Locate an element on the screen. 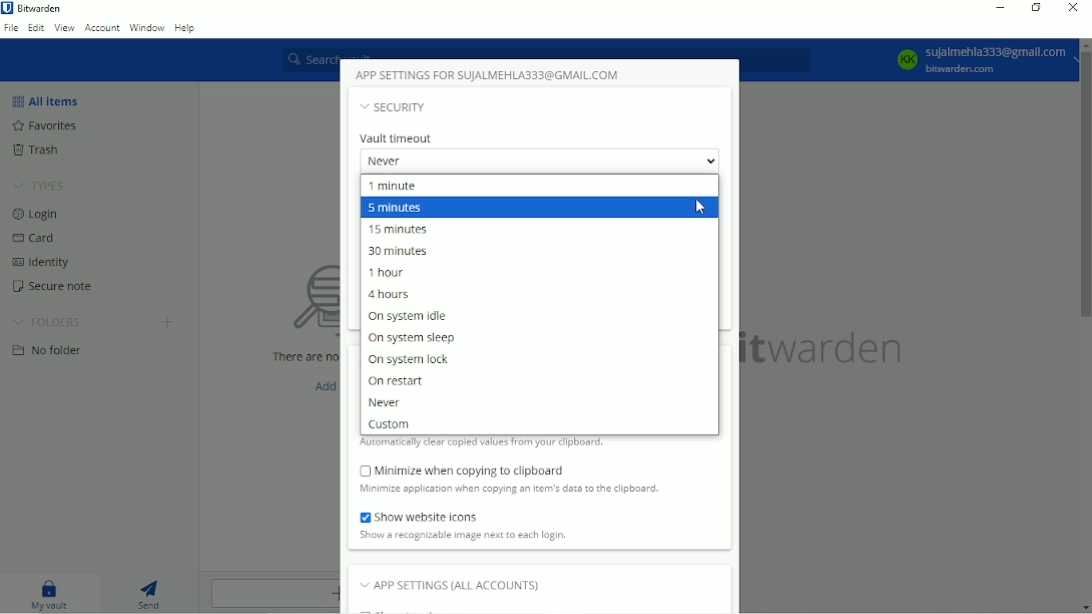 The image size is (1092, 614). Show website icons is located at coordinates (421, 516).